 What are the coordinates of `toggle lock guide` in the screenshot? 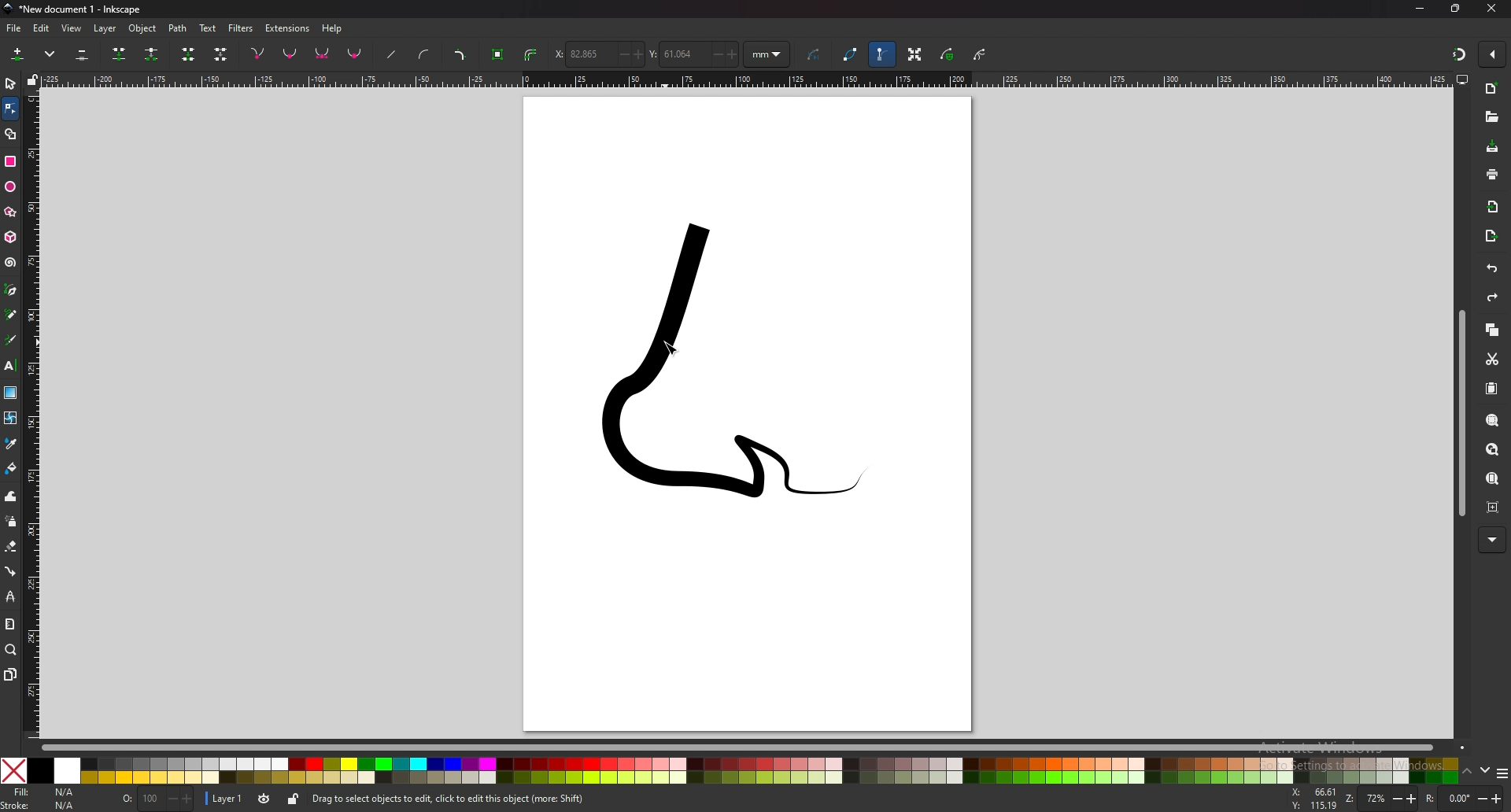 It's located at (33, 79).